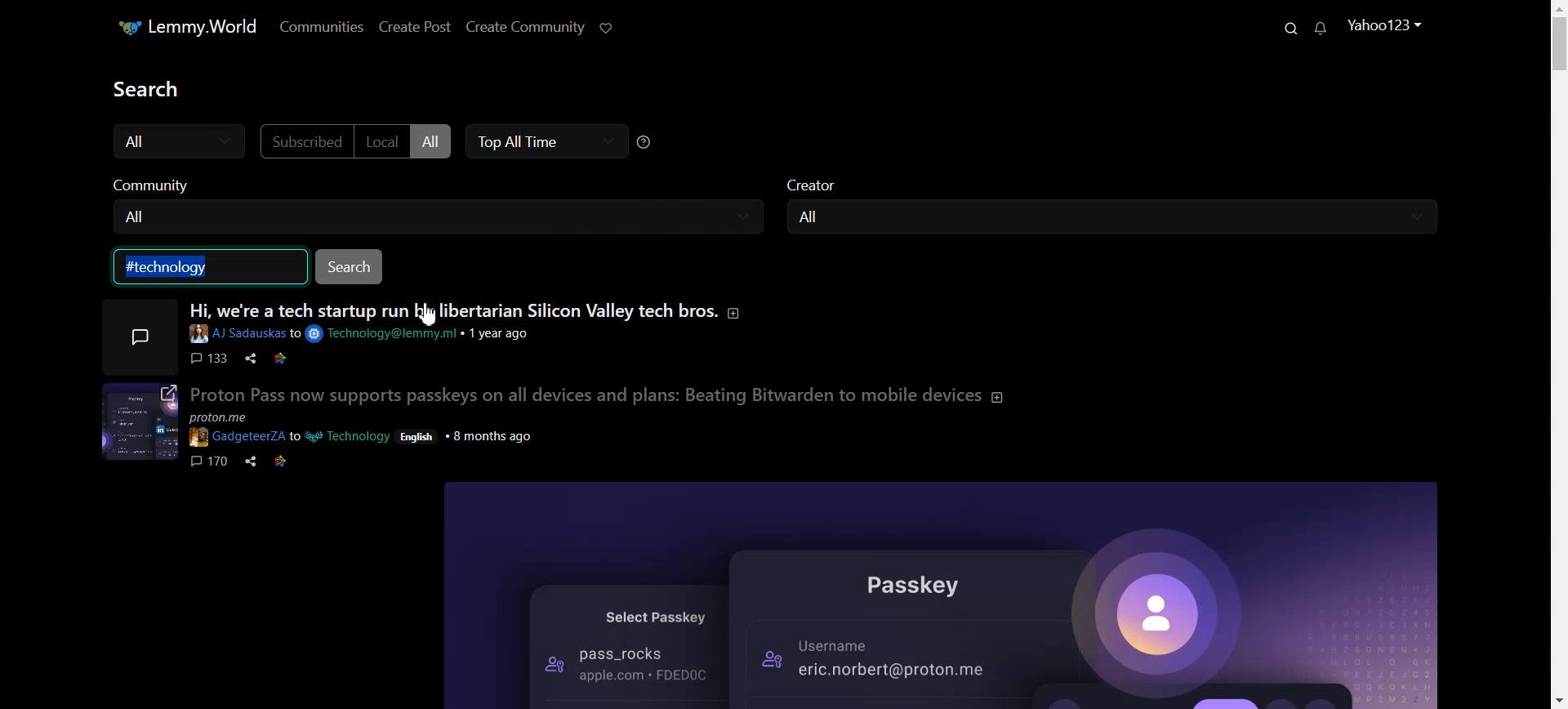 The image size is (1568, 709). I want to click on Cursor, so click(432, 317).